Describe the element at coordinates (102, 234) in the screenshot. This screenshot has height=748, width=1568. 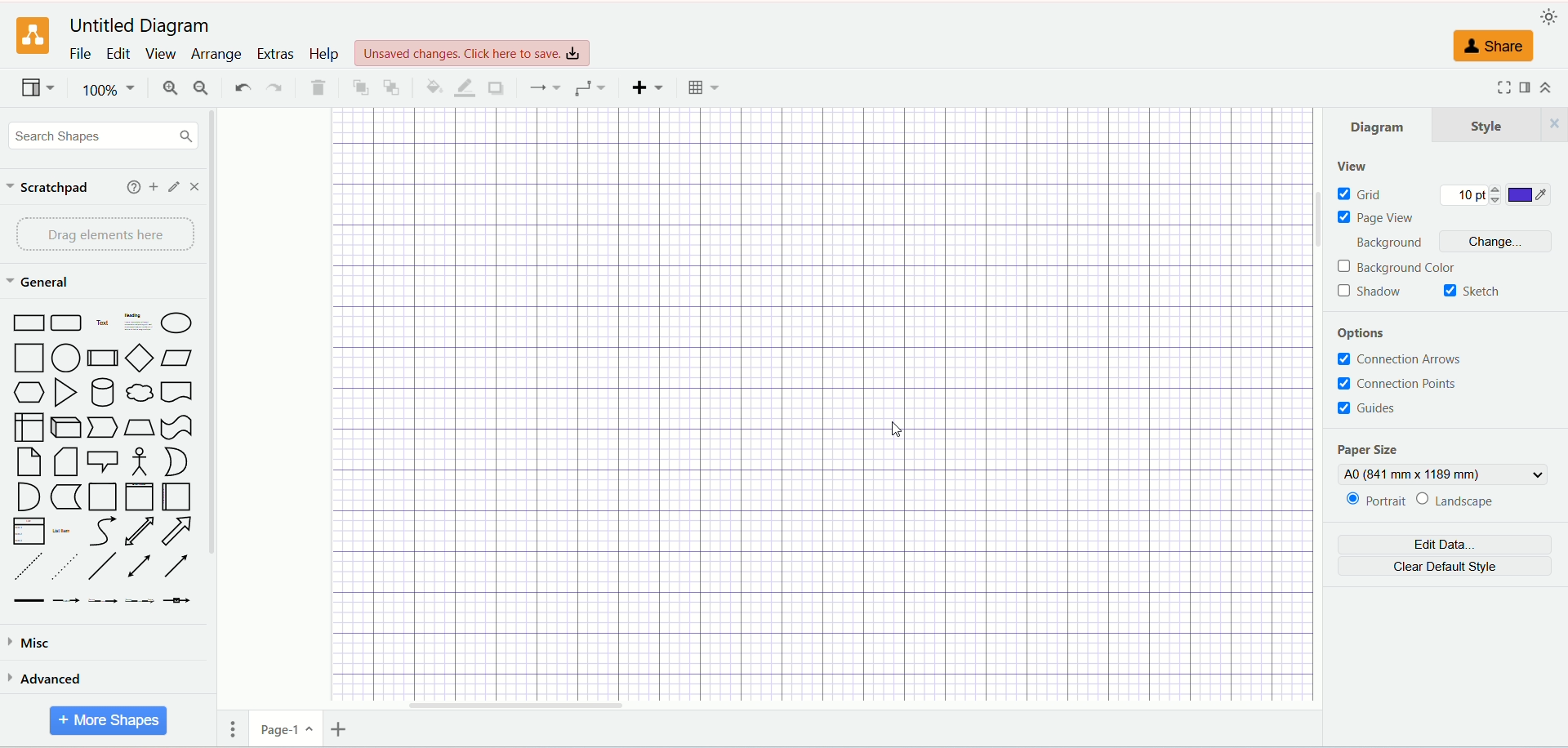
I see `drag element here` at that location.